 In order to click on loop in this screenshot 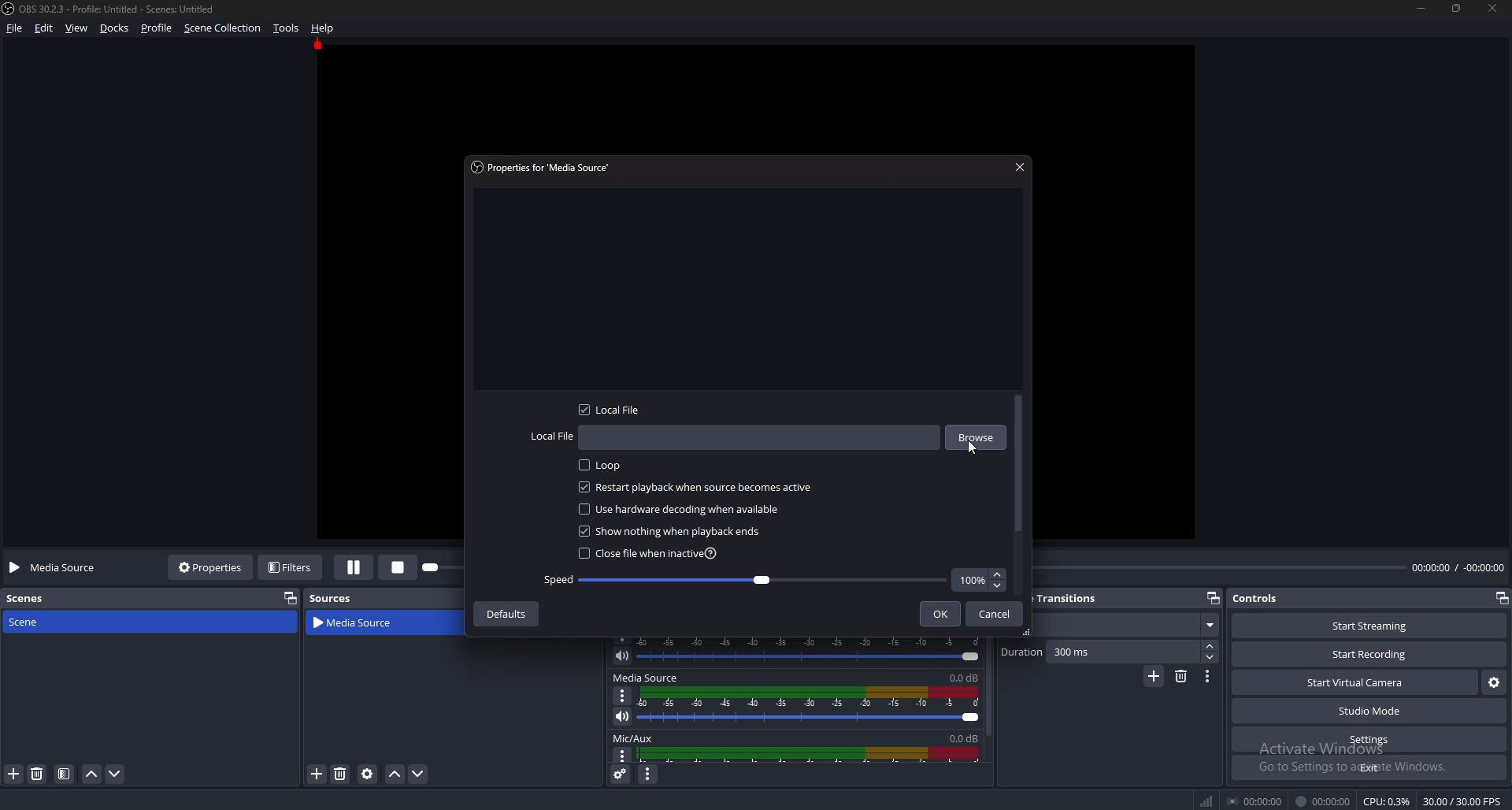, I will do `click(606, 466)`.